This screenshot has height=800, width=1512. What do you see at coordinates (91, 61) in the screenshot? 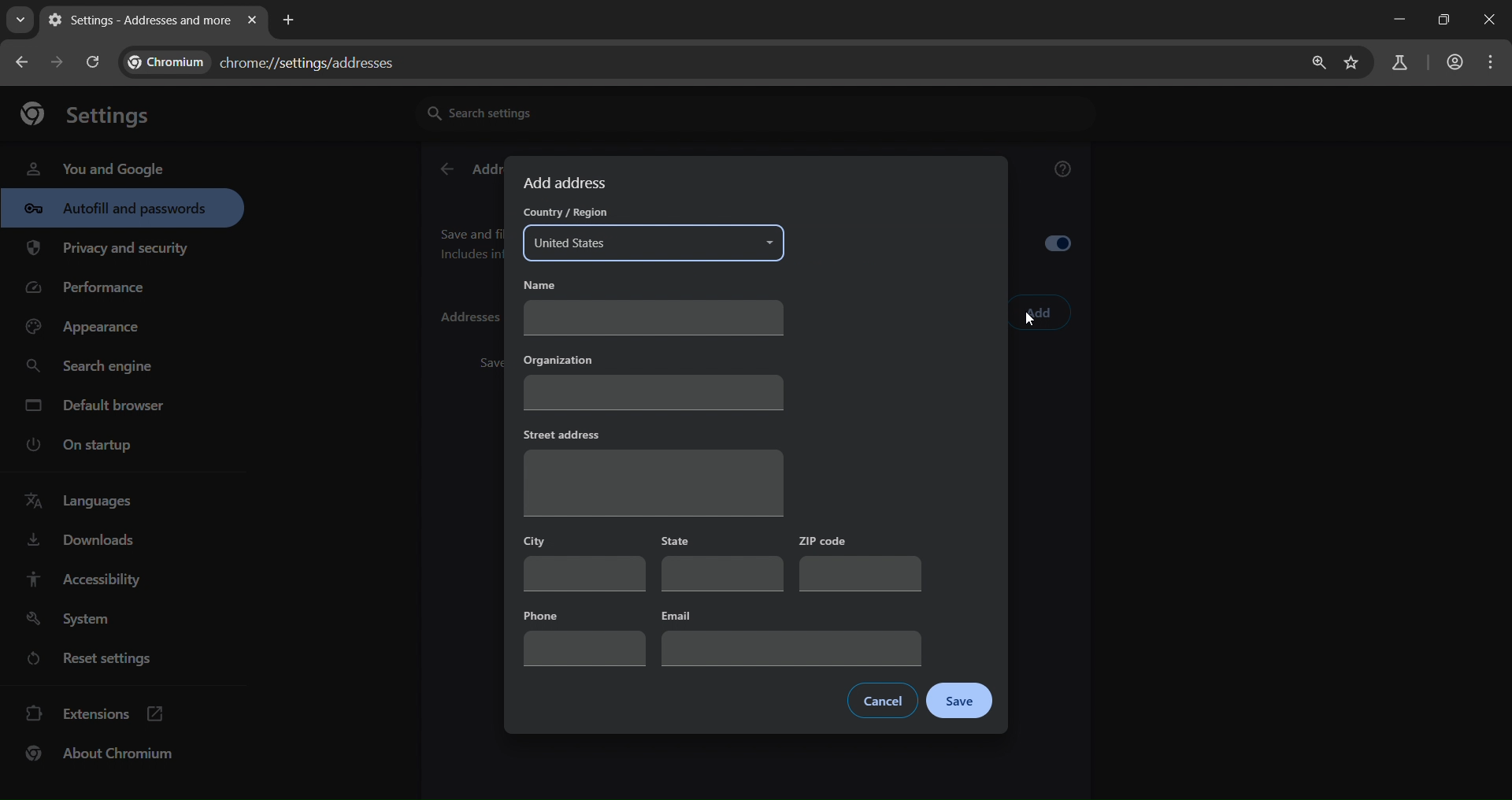
I see `reload` at bounding box center [91, 61].